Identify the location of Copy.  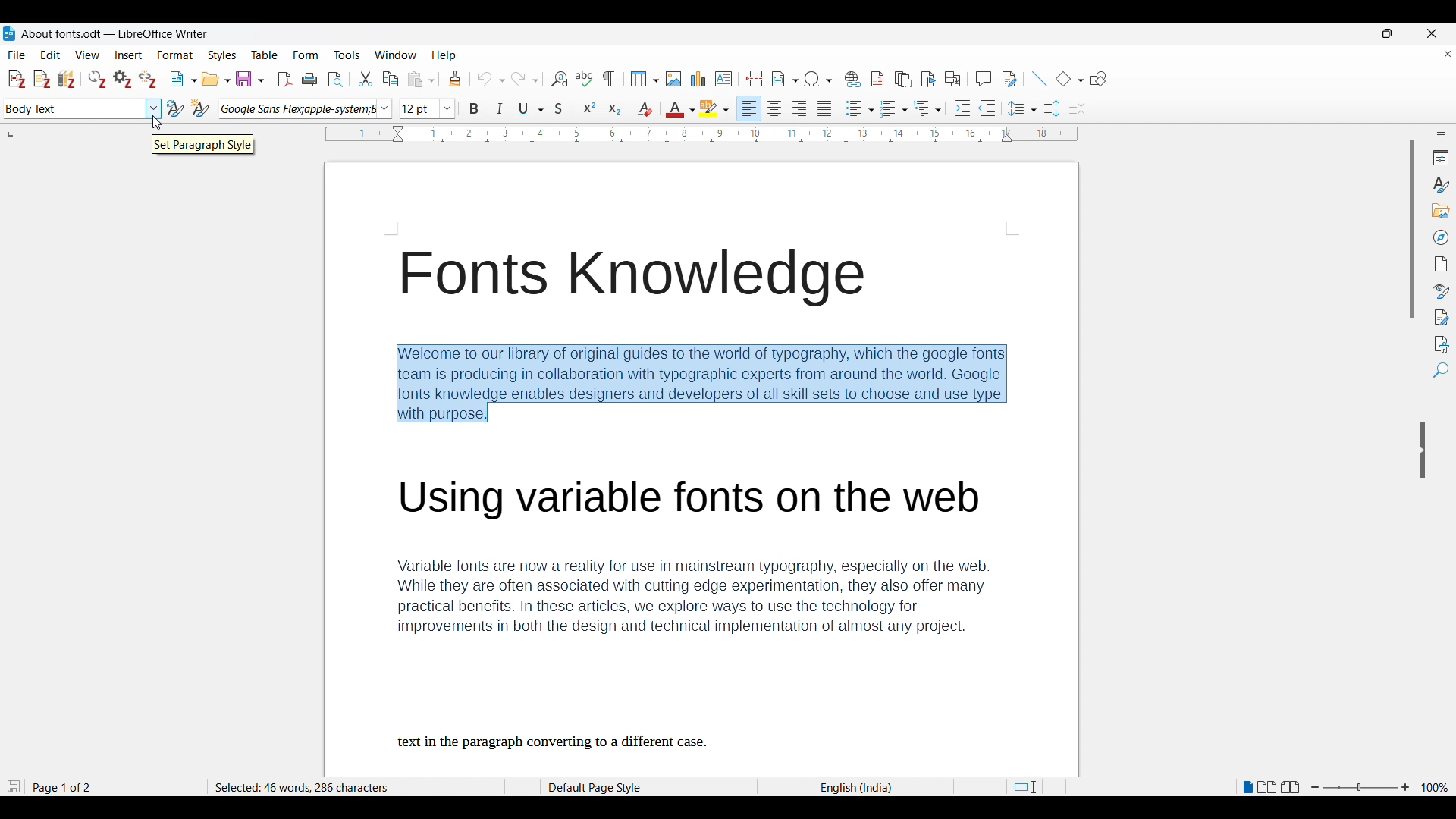
(391, 80).